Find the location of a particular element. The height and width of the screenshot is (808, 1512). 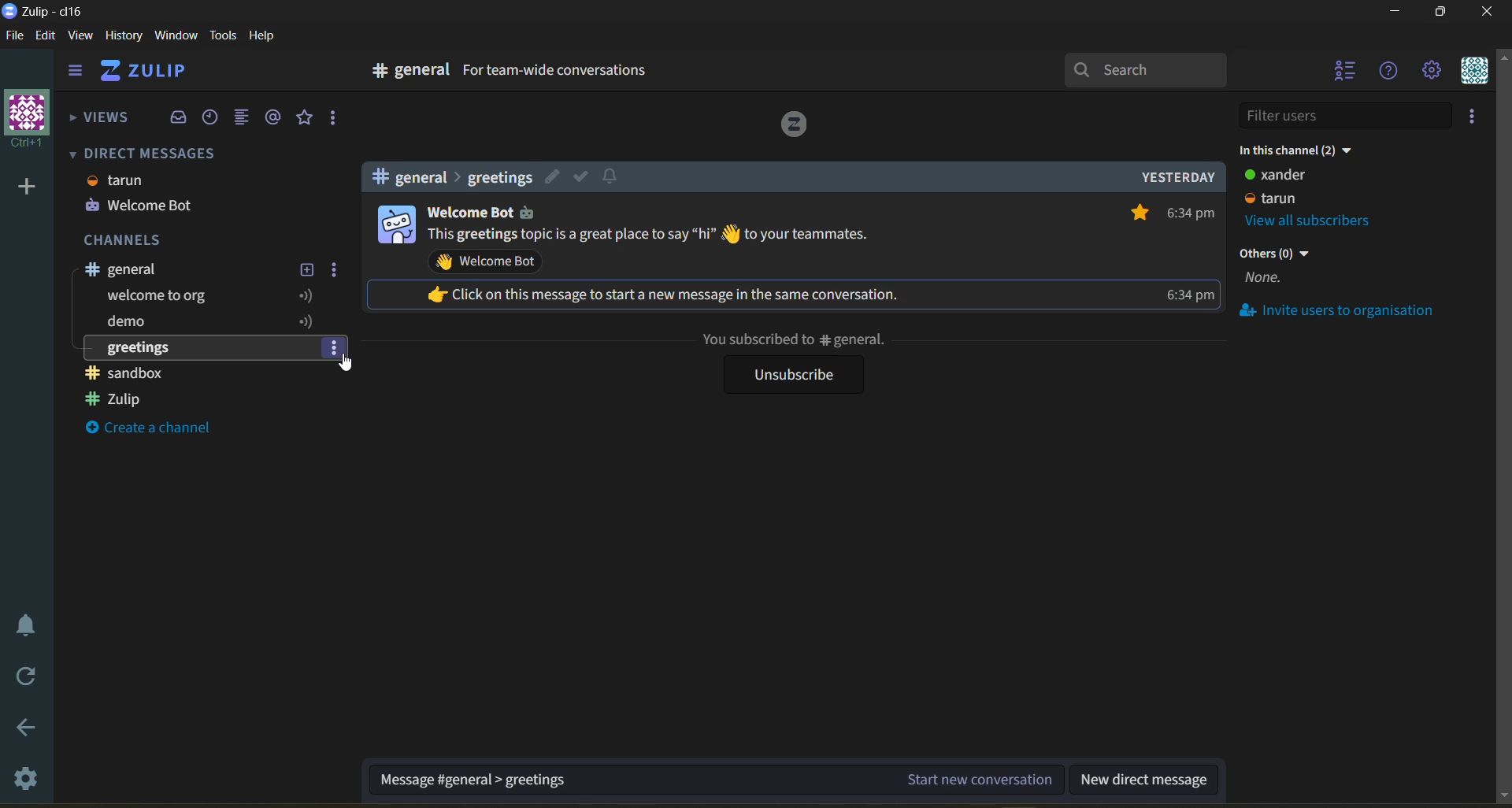

cursor is located at coordinates (349, 365).